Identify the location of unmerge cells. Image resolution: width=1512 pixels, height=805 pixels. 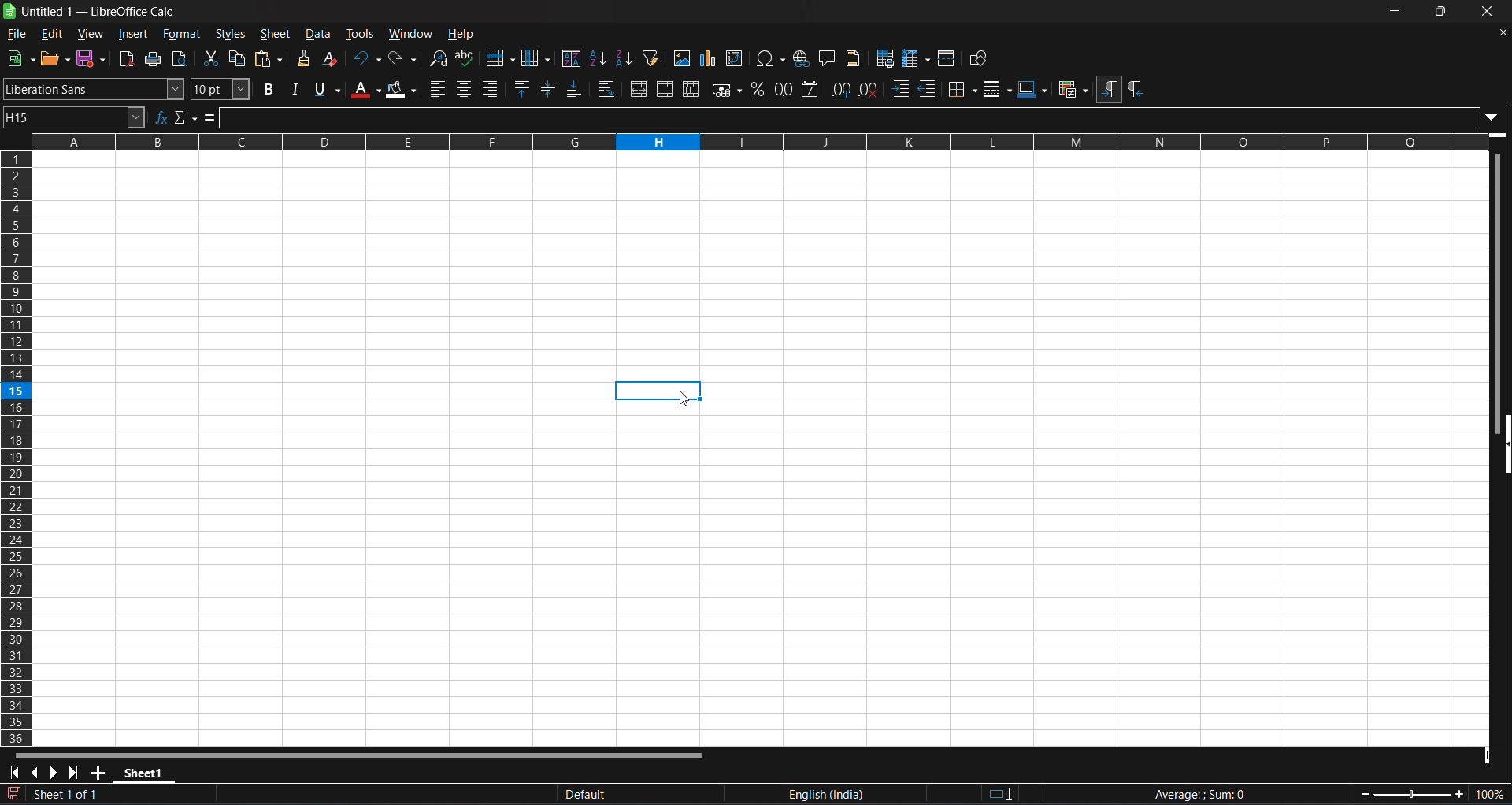
(691, 88).